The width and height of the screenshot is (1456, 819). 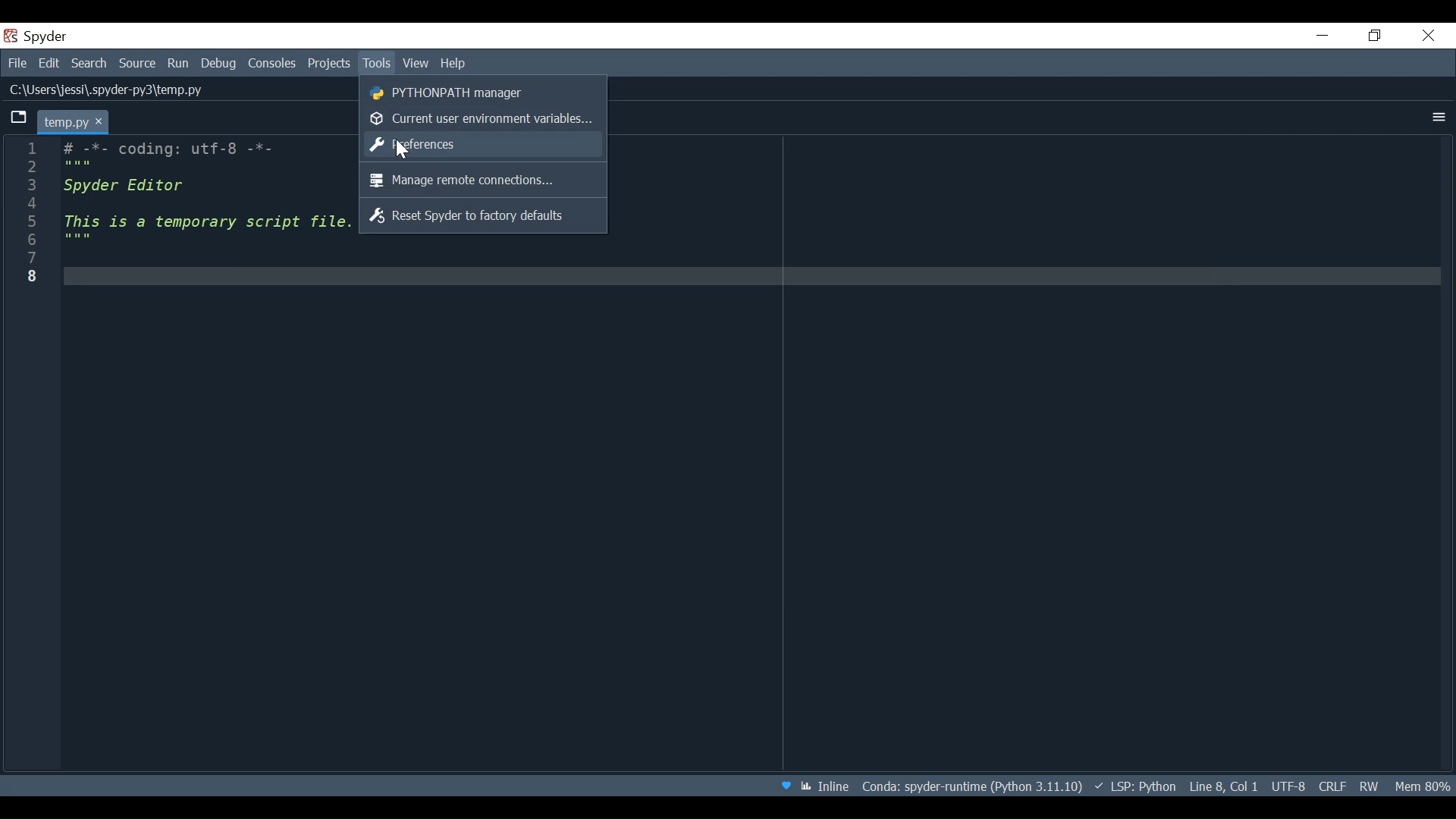 What do you see at coordinates (272, 64) in the screenshot?
I see `Consoles` at bounding box center [272, 64].